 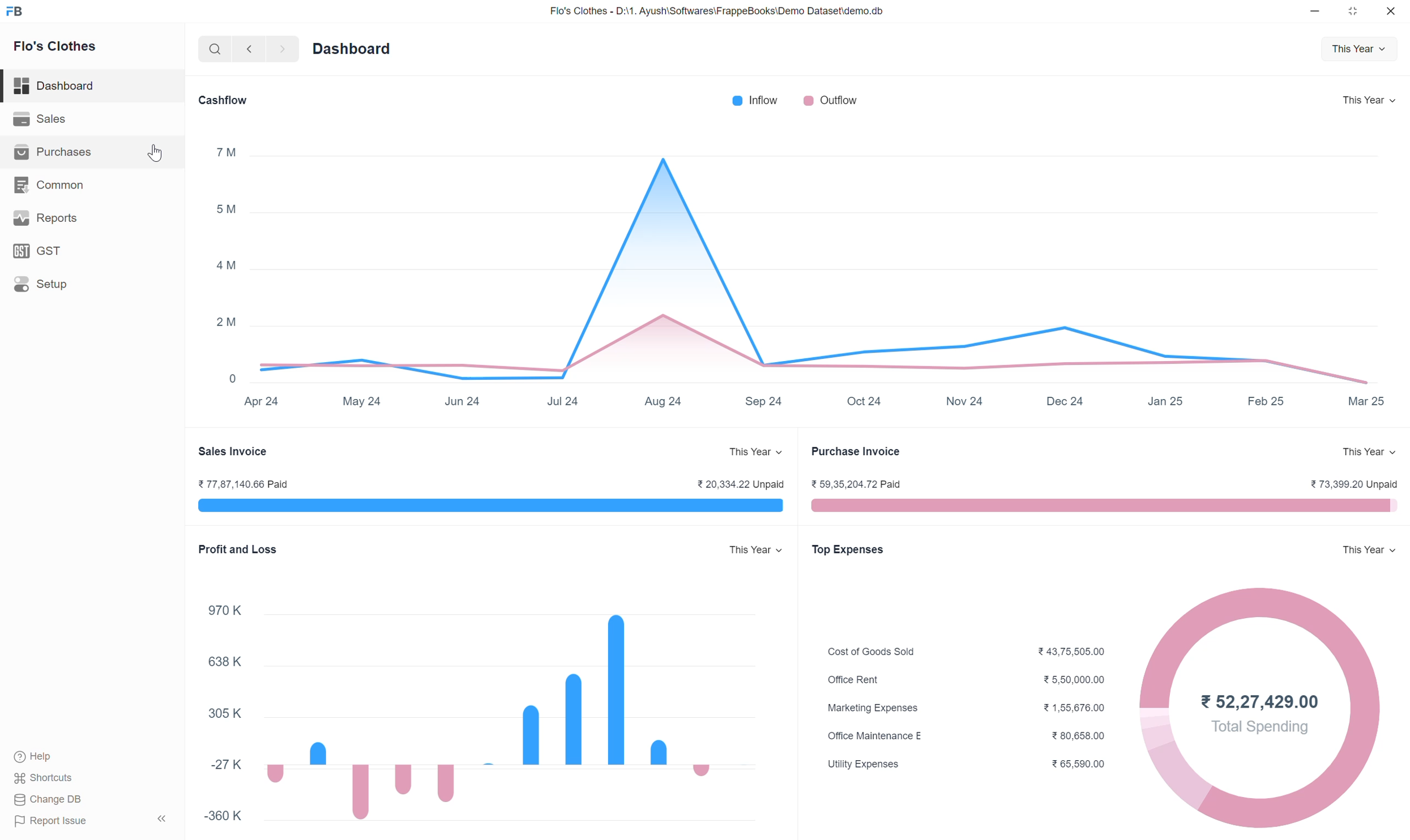 What do you see at coordinates (57, 48) in the screenshot?
I see `Flo's Clothes` at bounding box center [57, 48].